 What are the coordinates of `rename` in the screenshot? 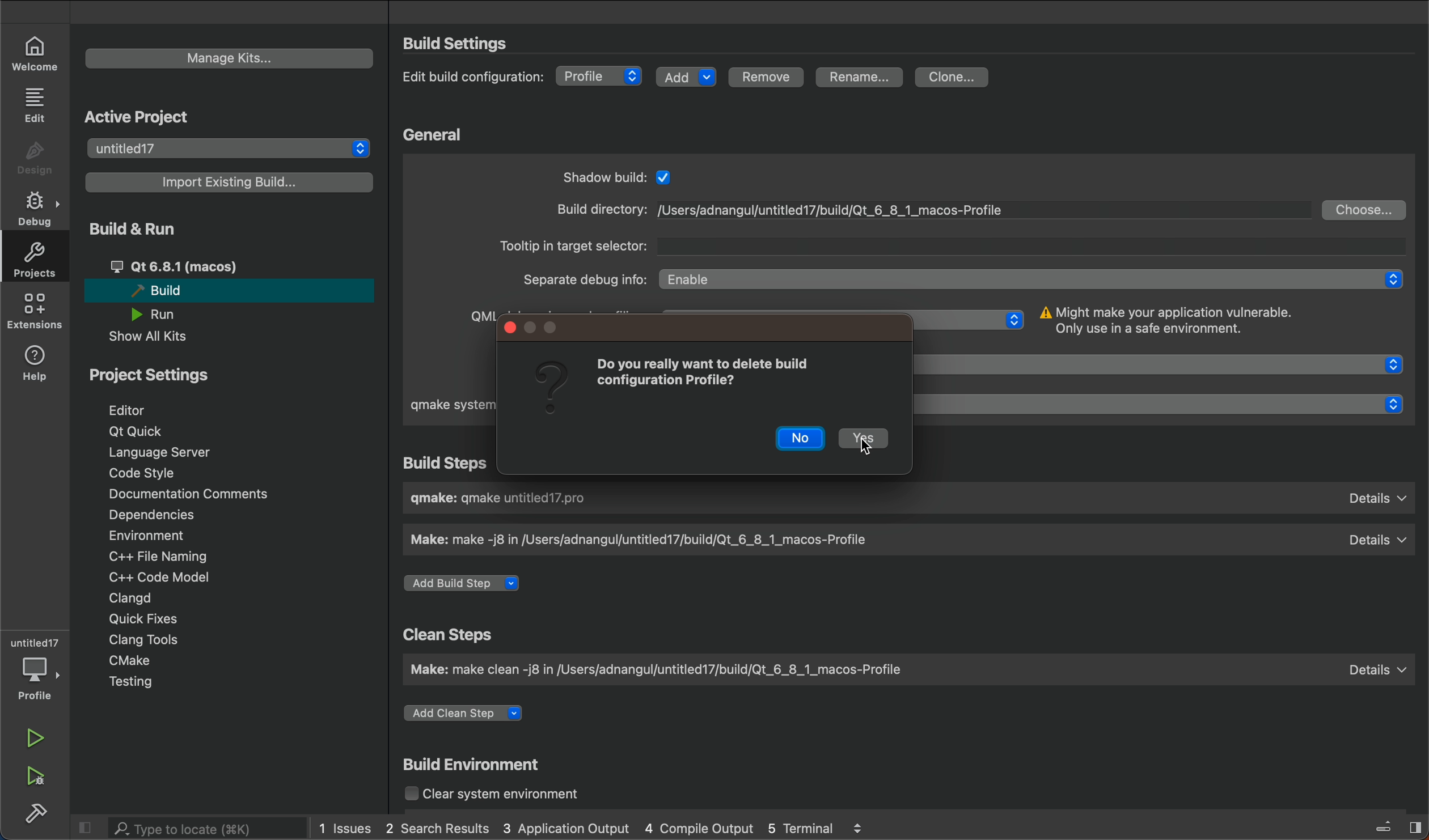 It's located at (862, 78).